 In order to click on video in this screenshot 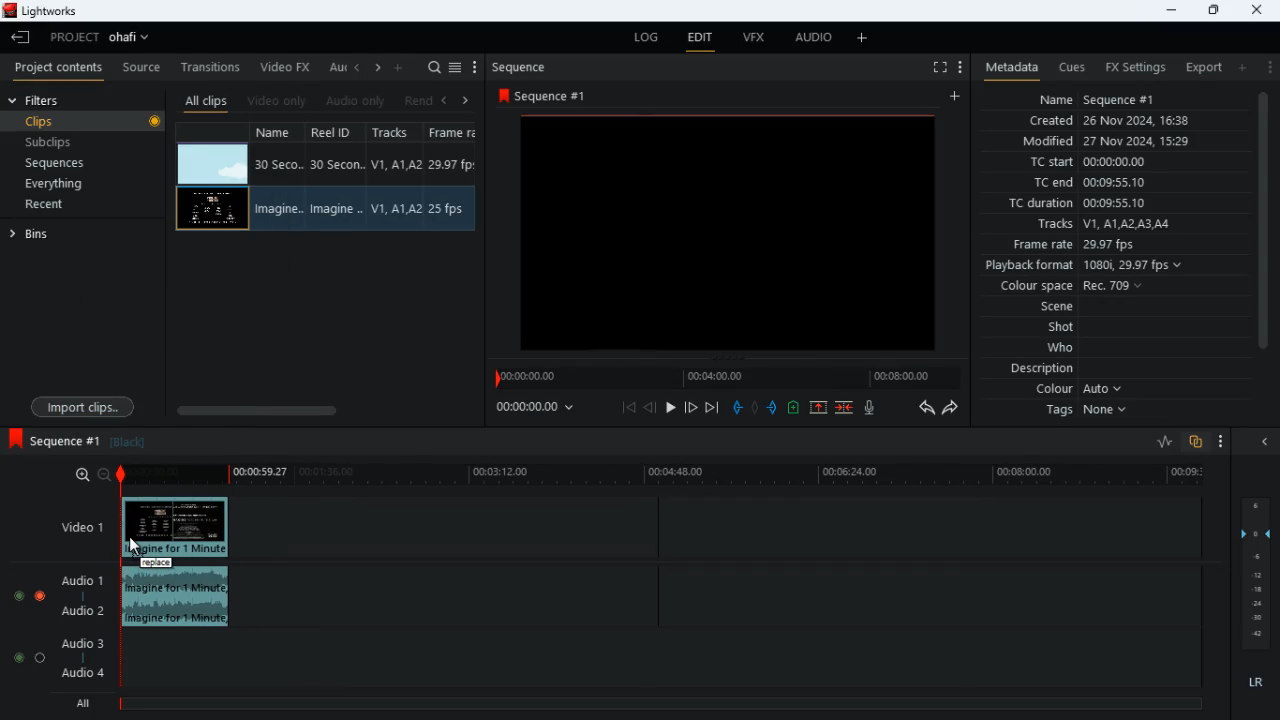, I will do `click(178, 528)`.